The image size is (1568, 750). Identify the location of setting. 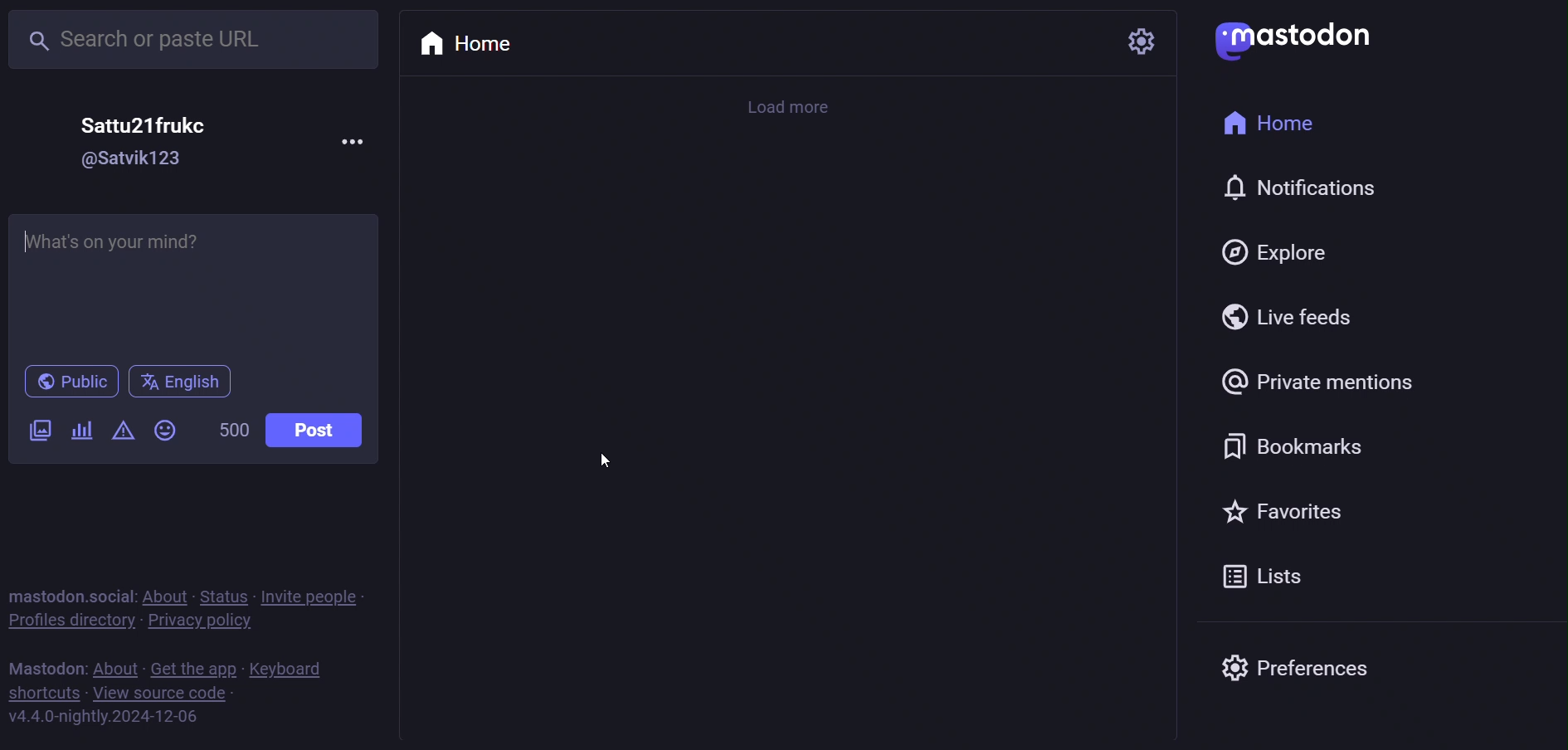
(1141, 41).